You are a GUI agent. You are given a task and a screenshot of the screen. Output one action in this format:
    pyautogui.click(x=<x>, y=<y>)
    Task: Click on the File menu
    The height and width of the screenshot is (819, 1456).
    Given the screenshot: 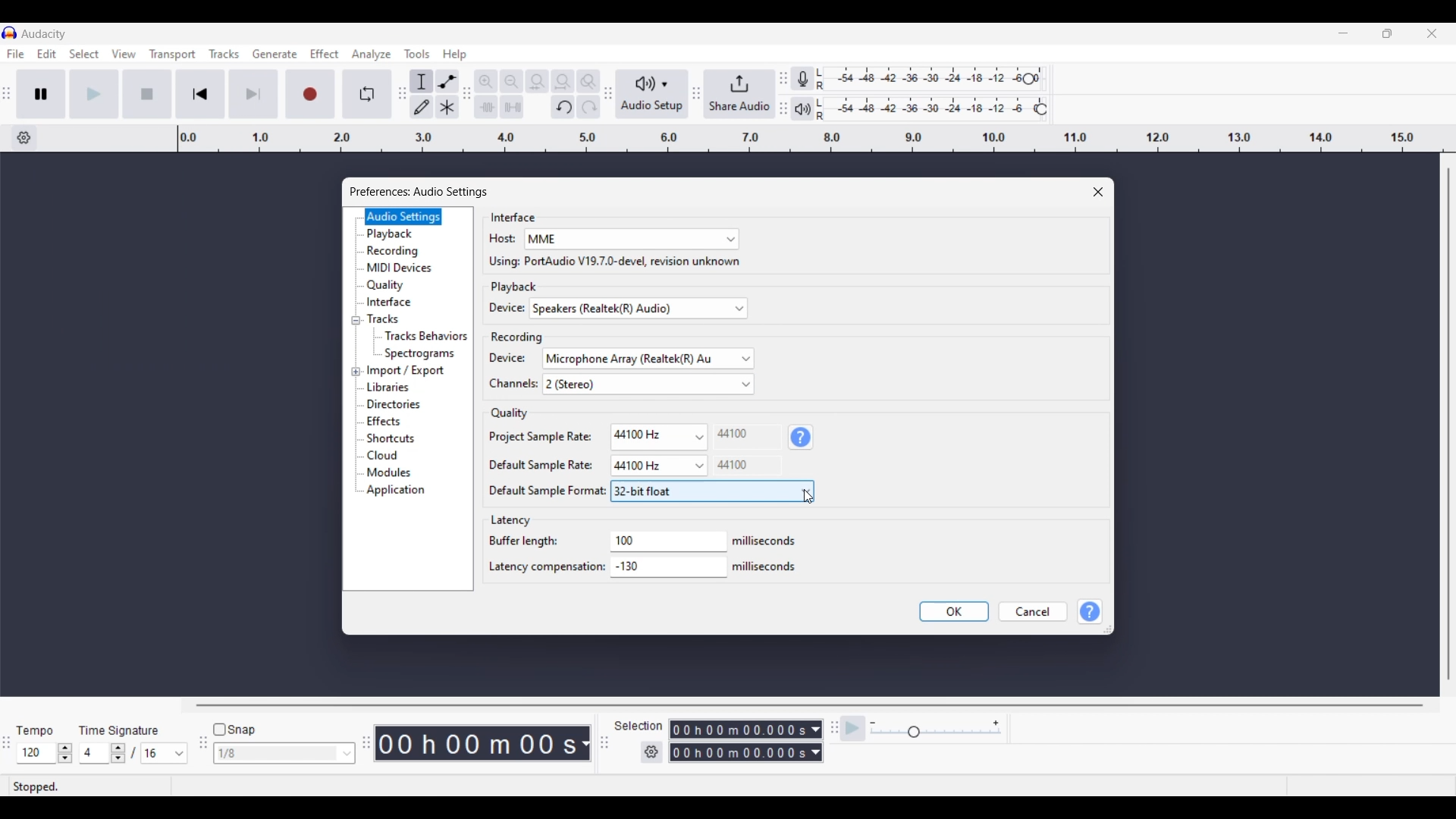 What is the action you would take?
    pyautogui.click(x=15, y=54)
    